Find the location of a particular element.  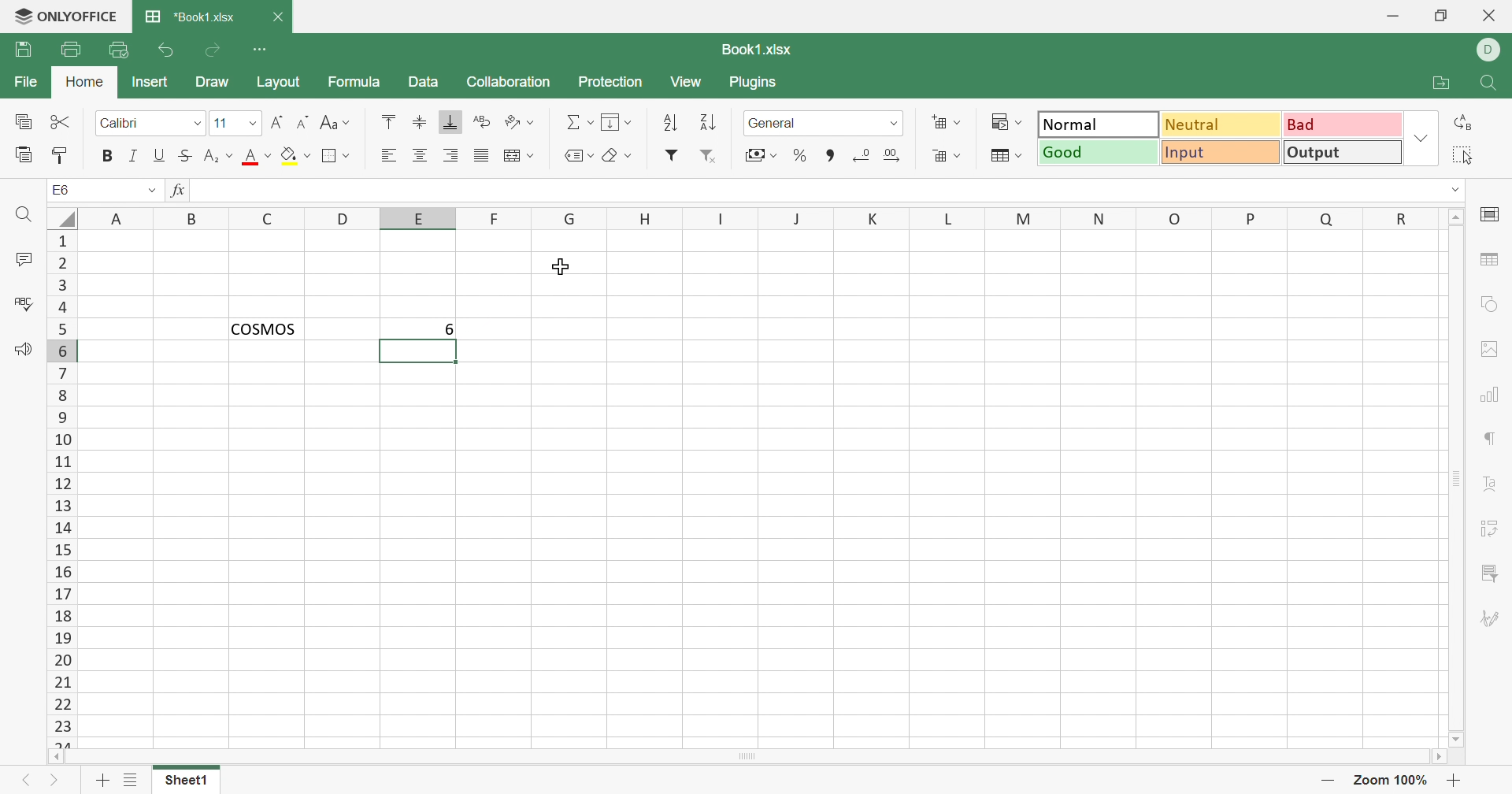

Insert is located at coordinates (151, 83).